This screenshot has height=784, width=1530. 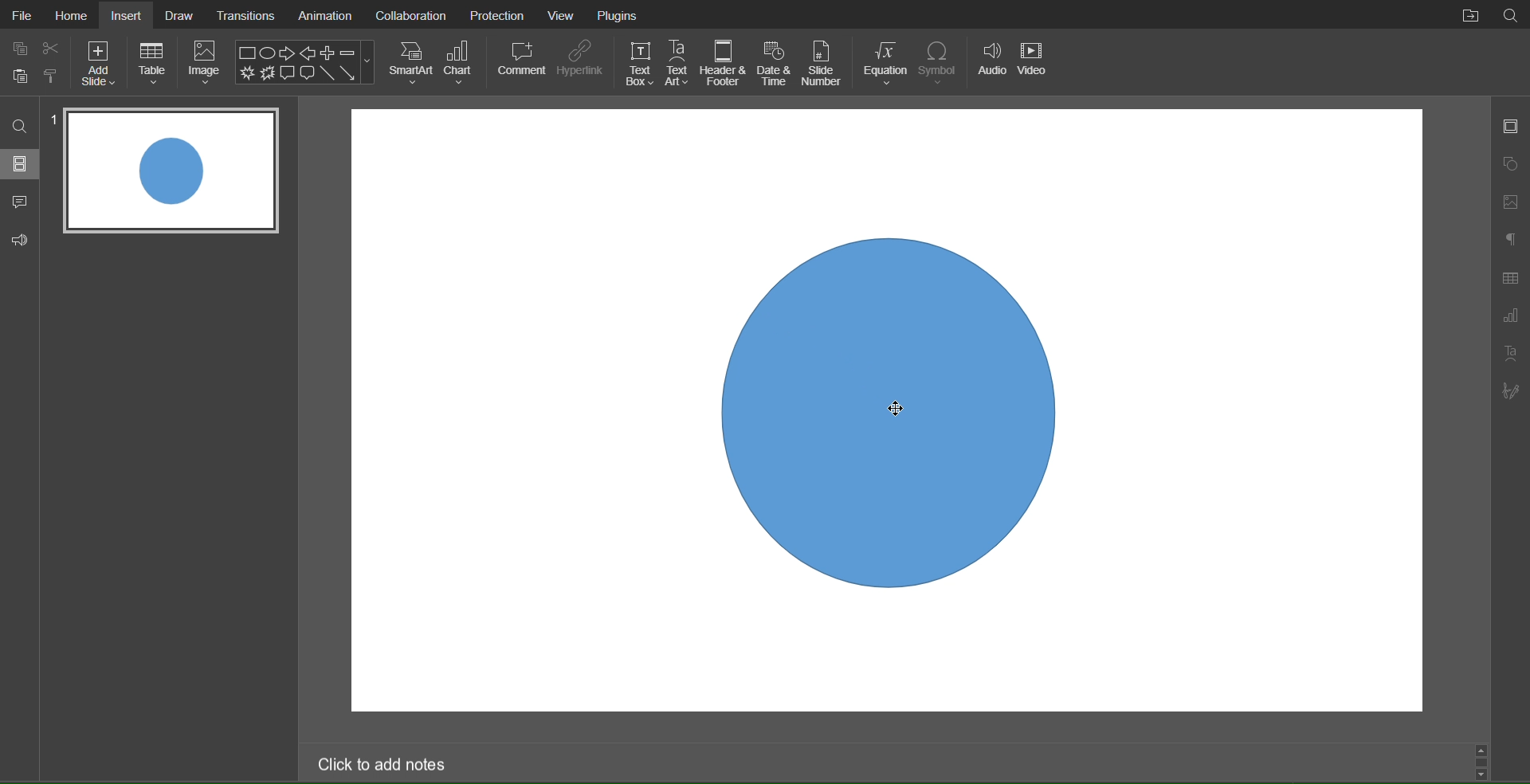 I want to click on Add Slide, so click(x=101, y=63).